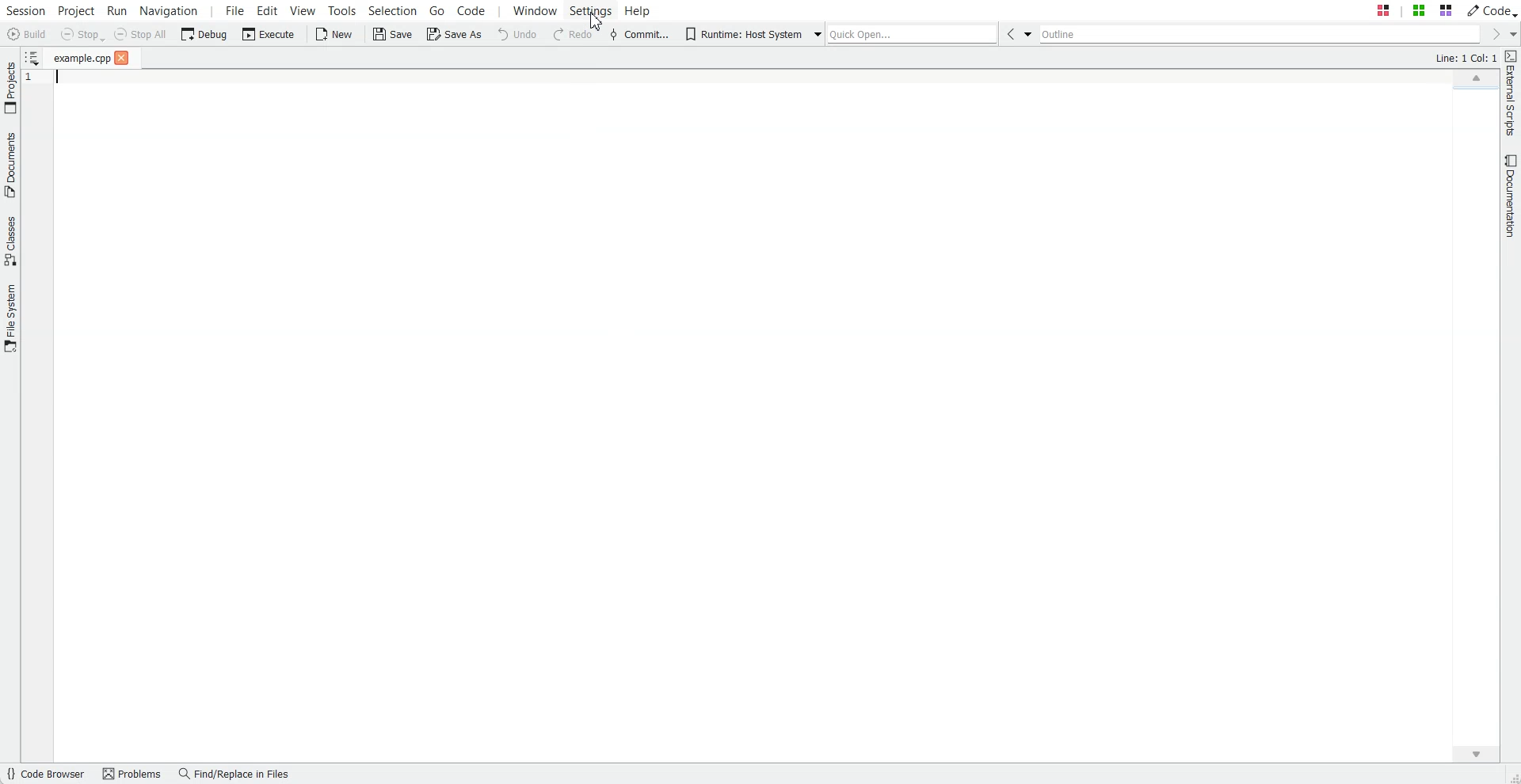 Image resolution: width=1521 pixels, height=784 pixels. Describe the element at coordinates (739, 34) in the screenshot. I see `Runtime: Host System` at that location.